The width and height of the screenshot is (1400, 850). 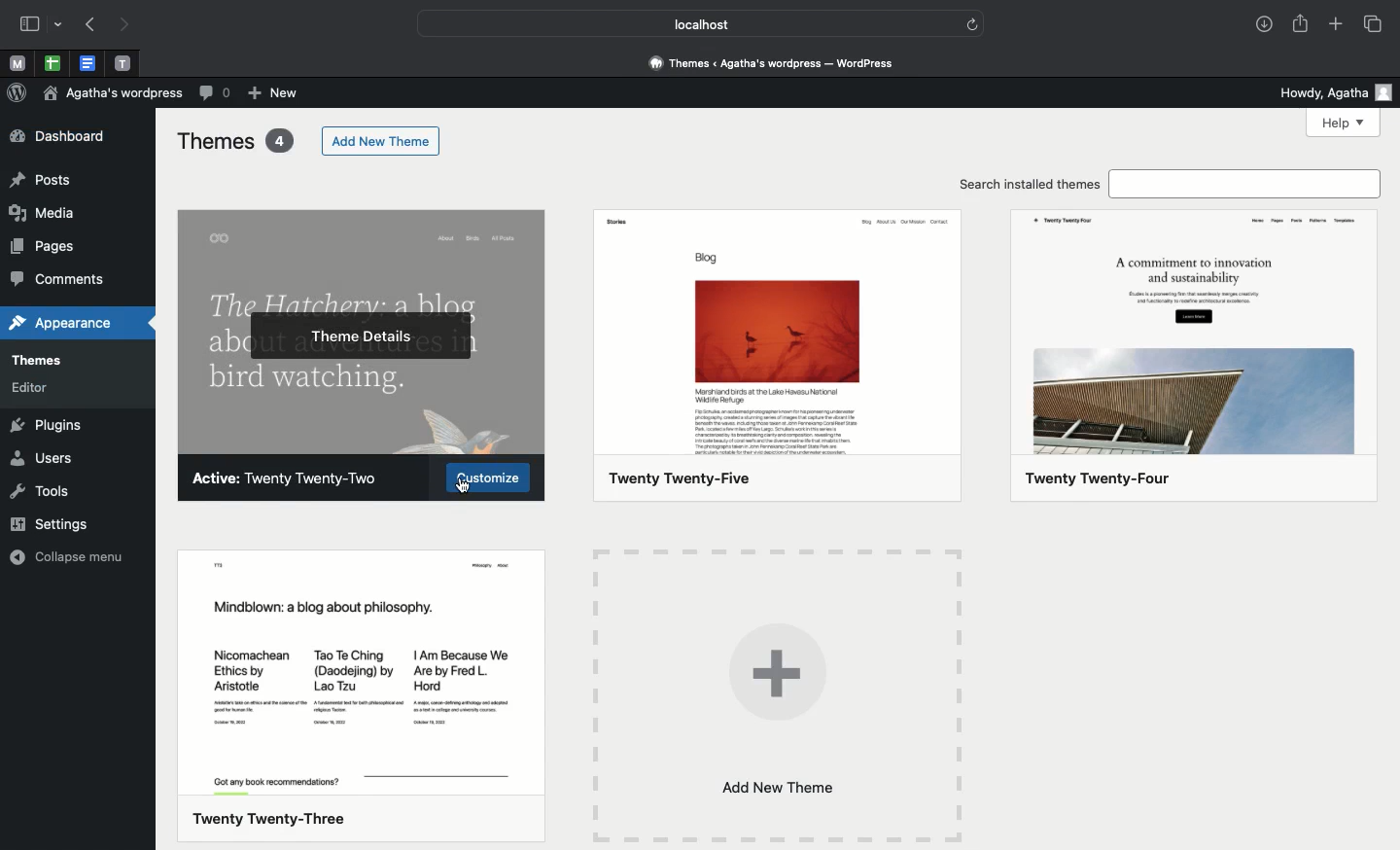 I want to click on 2024 theme, so click(x=1197, y=355).